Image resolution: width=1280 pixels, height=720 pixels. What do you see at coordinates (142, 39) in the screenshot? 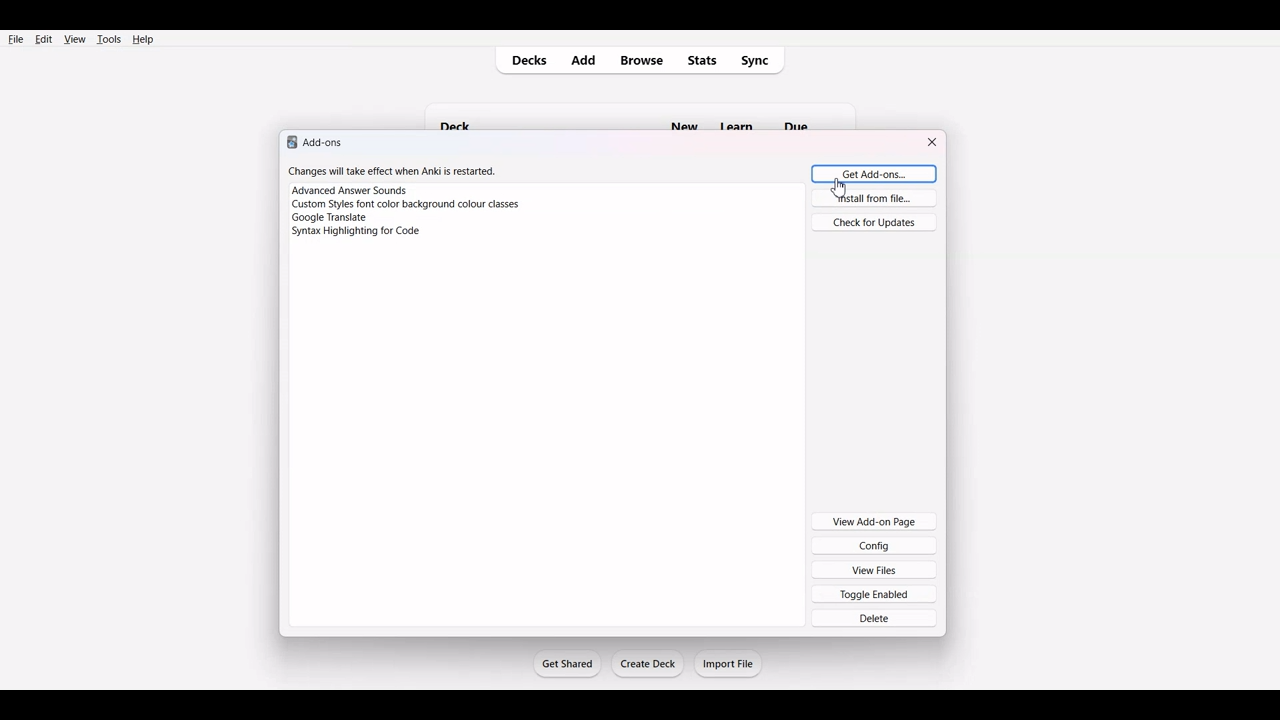
I see `Help` at bounding box center [142, 39].